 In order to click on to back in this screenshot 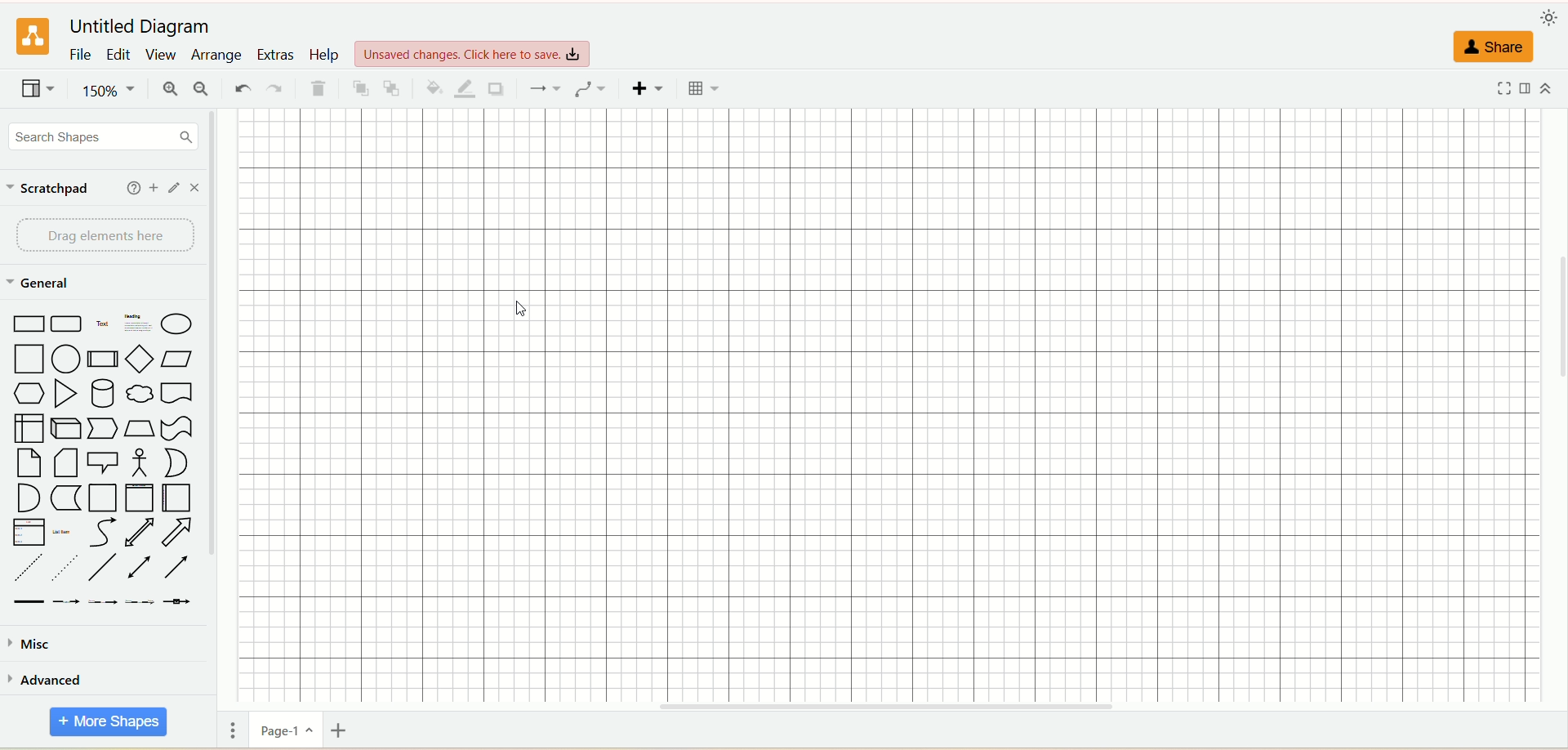, I will do `click(395, 88)`.